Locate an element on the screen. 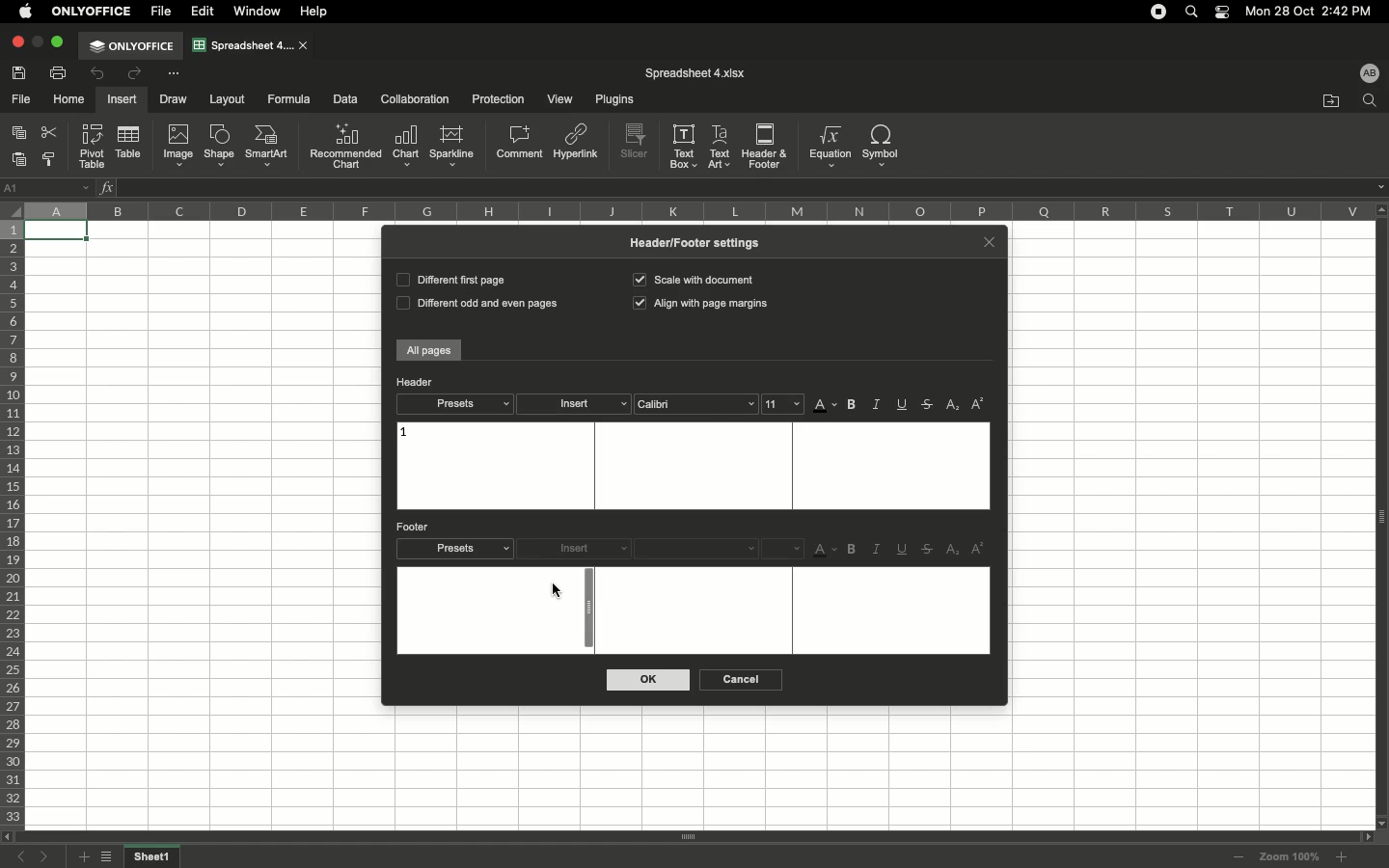 Image resolution: width=1389 pixels, height=868 pixels. Underline is located at coordinates (904, 551).